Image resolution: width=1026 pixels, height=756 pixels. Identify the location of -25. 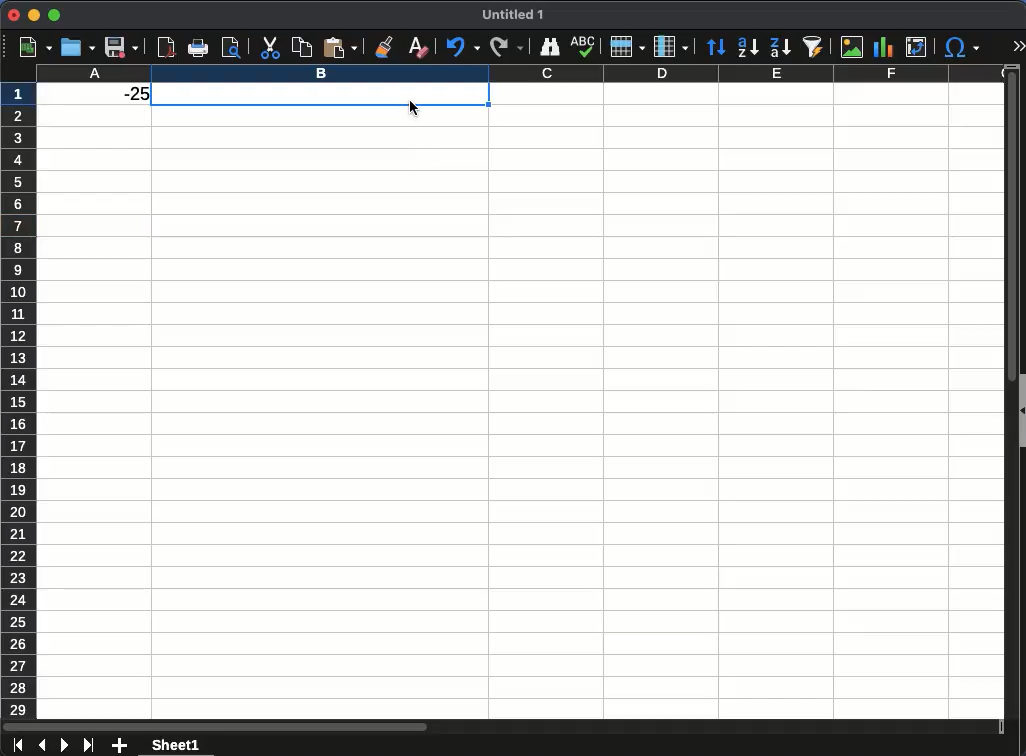
(127, 94).